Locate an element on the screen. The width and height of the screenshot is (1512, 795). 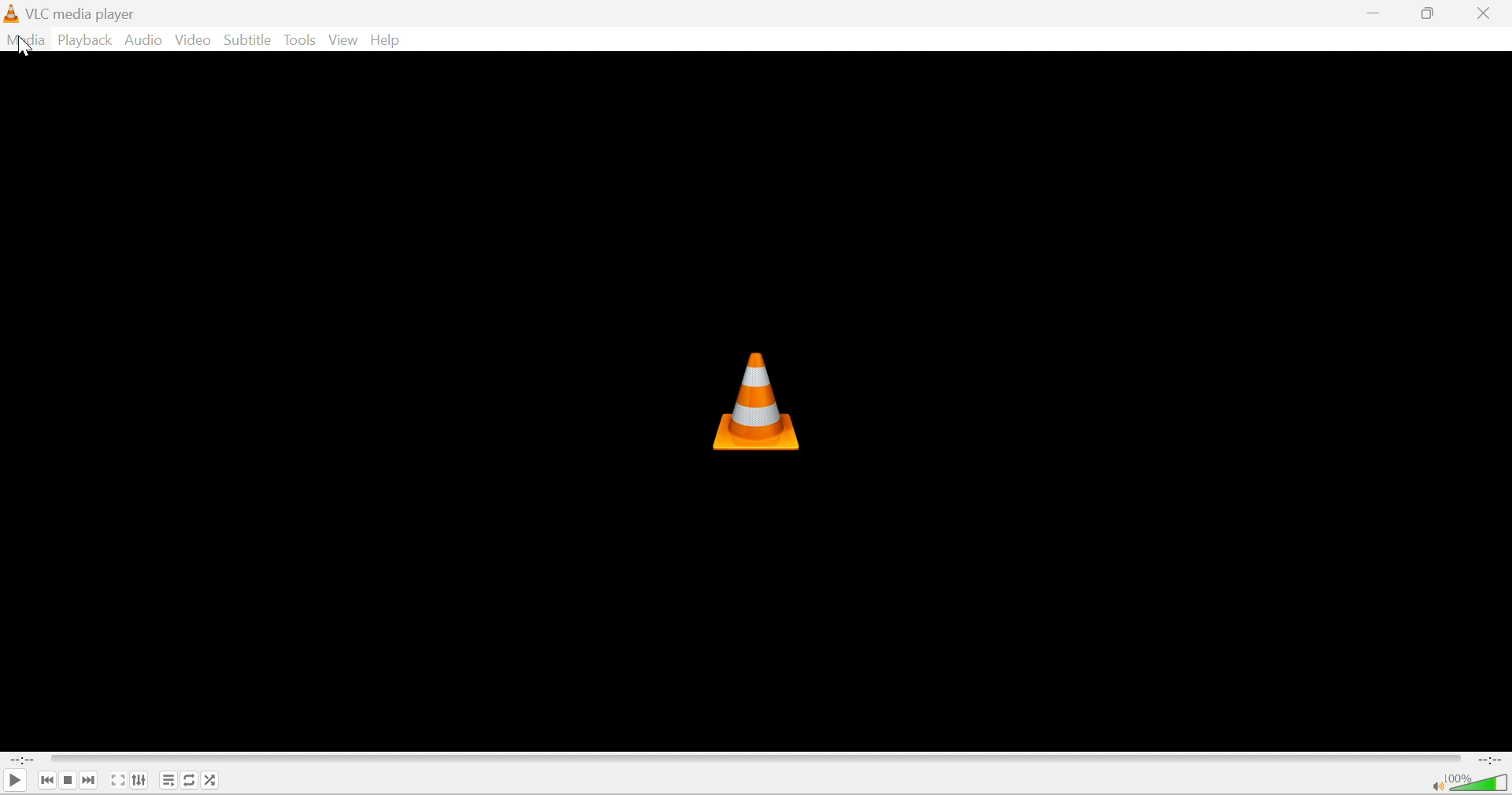
Minimize is located at coordinates (1378, 11).